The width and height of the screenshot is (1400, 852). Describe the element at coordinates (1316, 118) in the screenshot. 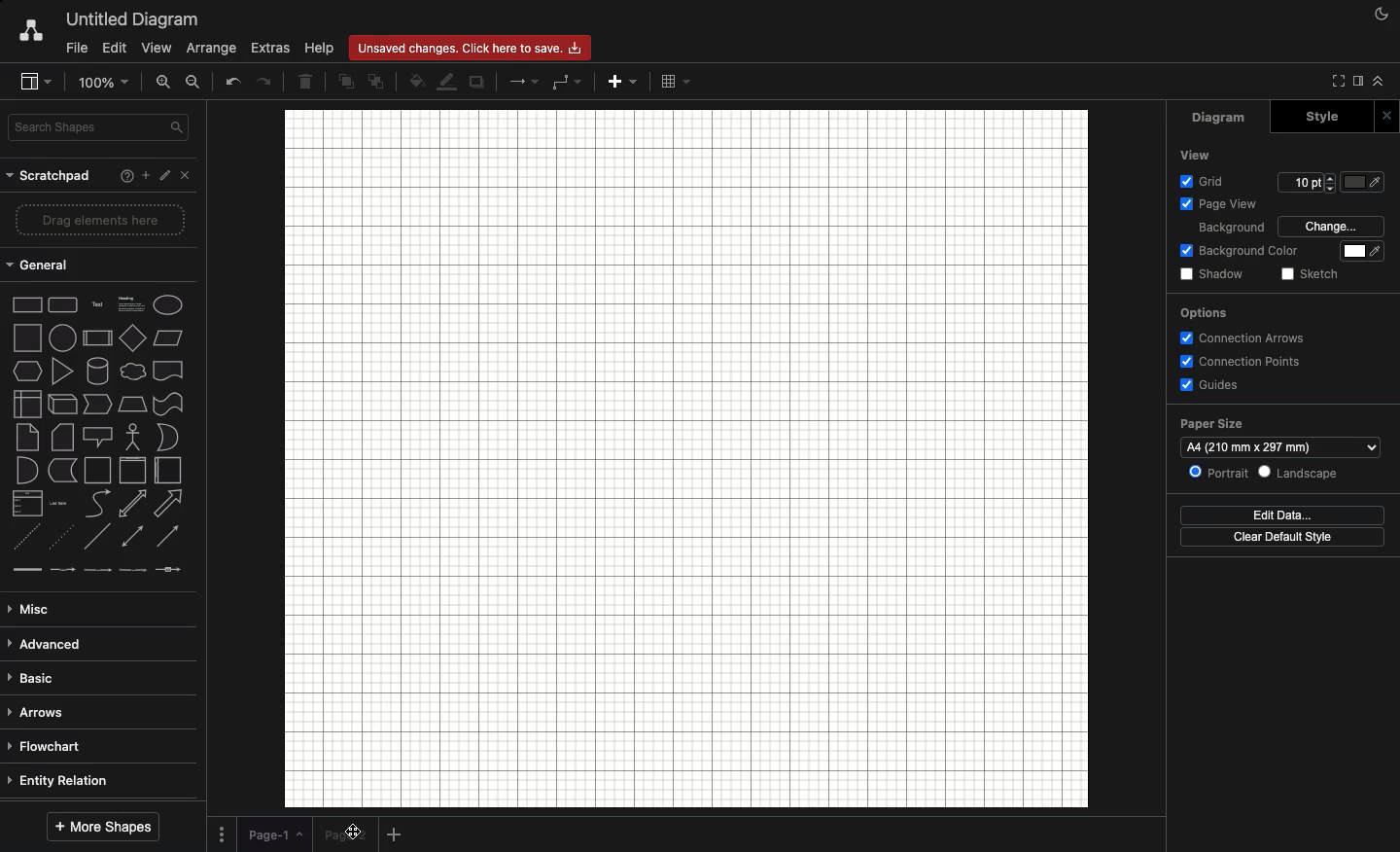

I see `Style` at that location.